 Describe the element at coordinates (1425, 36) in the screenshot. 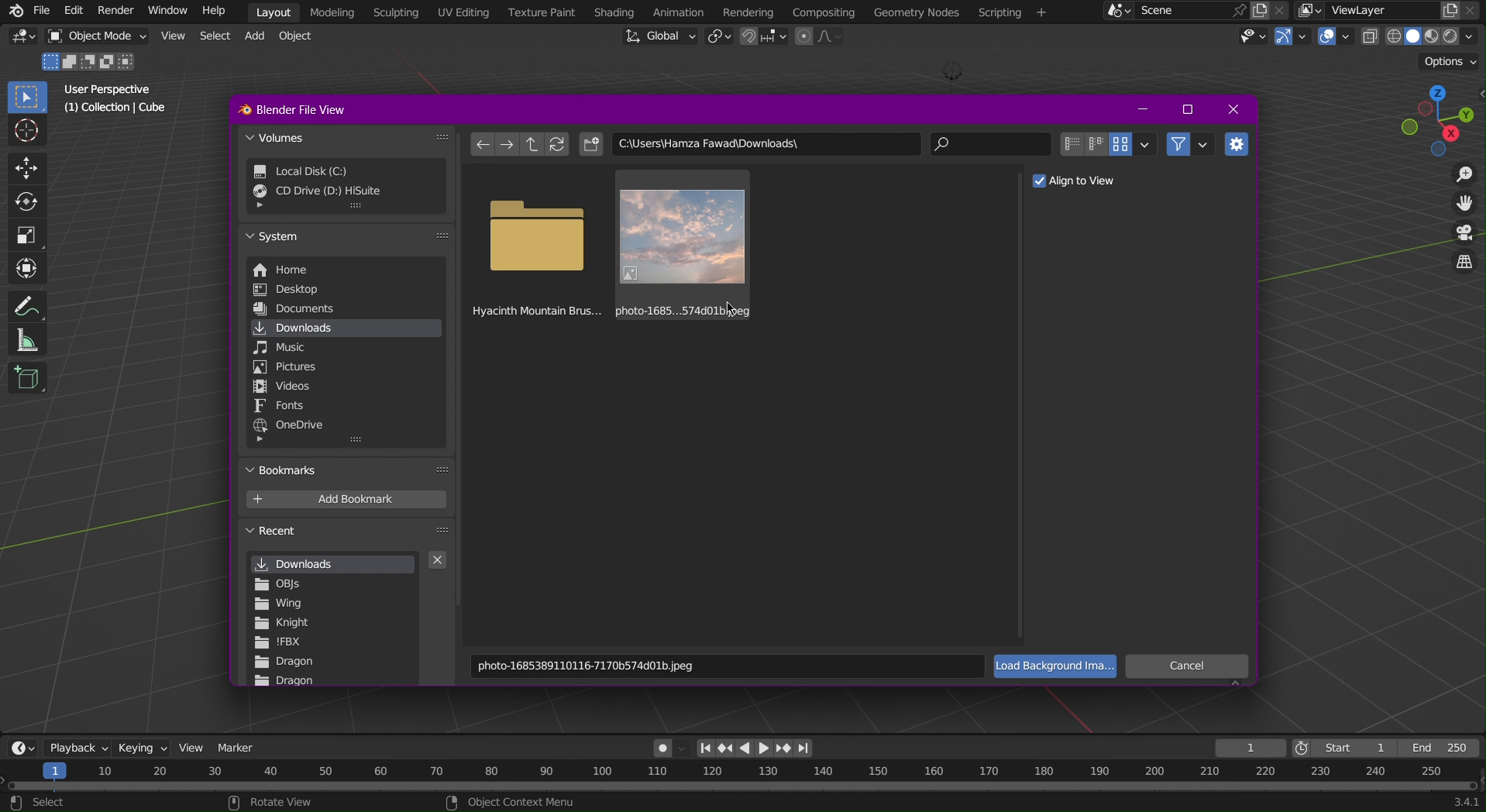

I see `Viewport Shading` at that location.